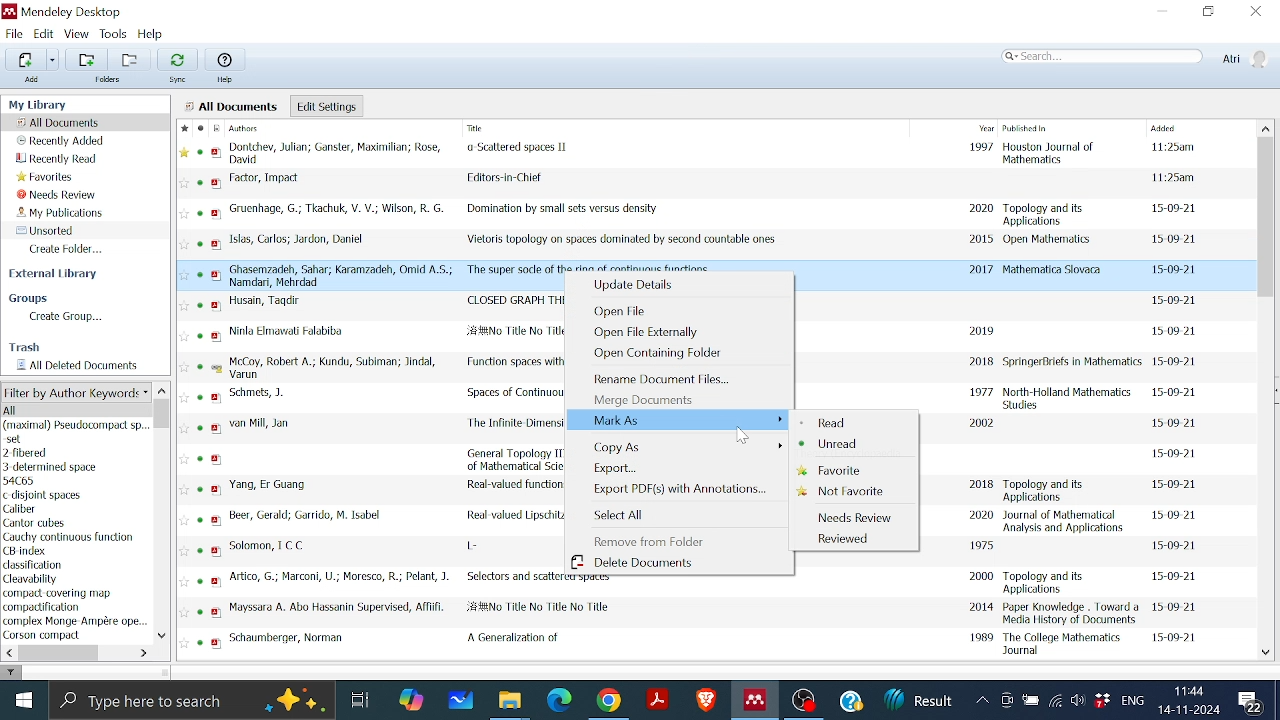 The width and height of the screenshot is (1280, 720). I want to click on News updates, so click(922, 699).